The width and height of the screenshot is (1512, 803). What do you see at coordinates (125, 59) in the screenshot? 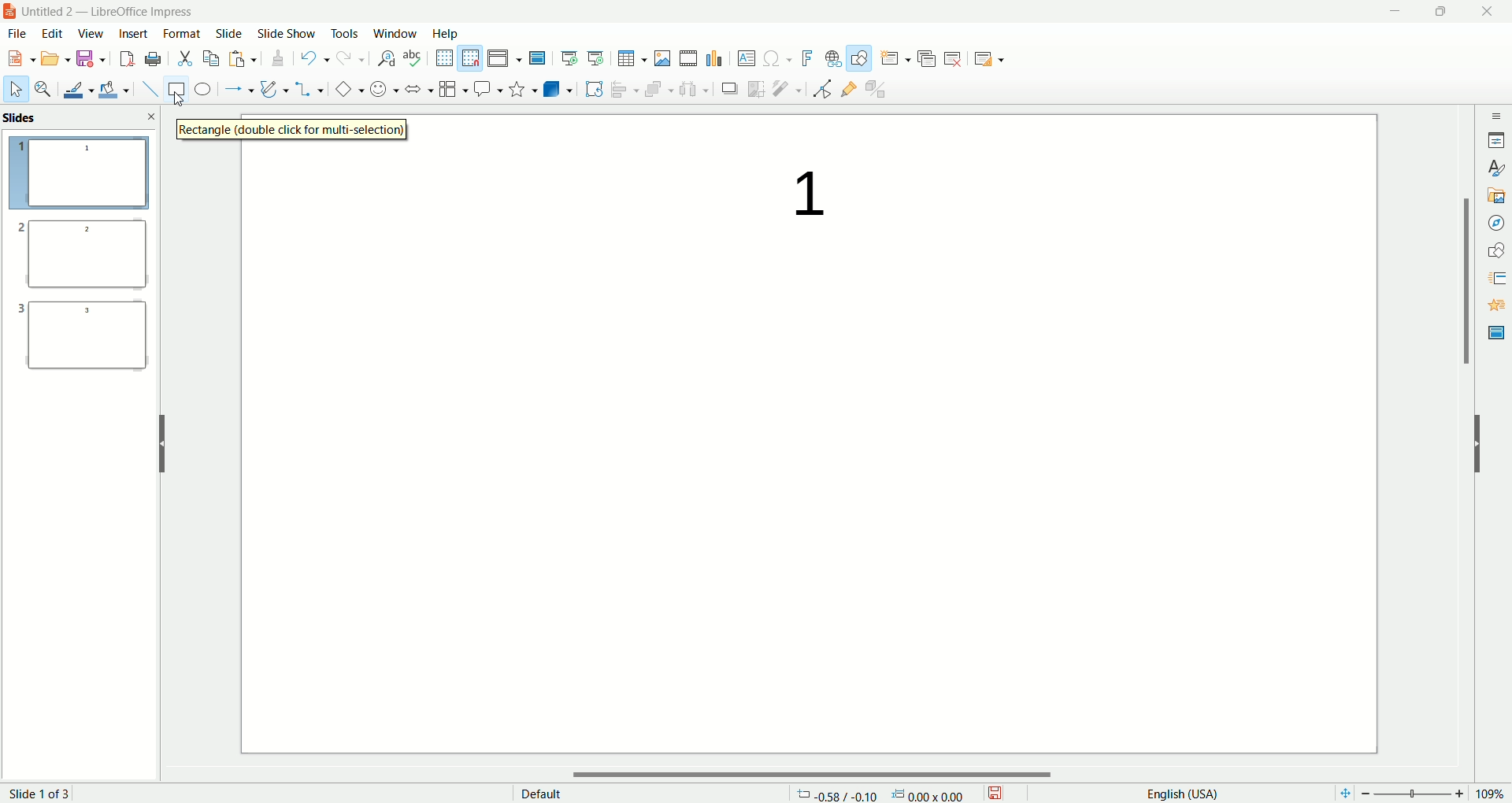
I see `export directly as PDF` at bounding box center [125, 59].